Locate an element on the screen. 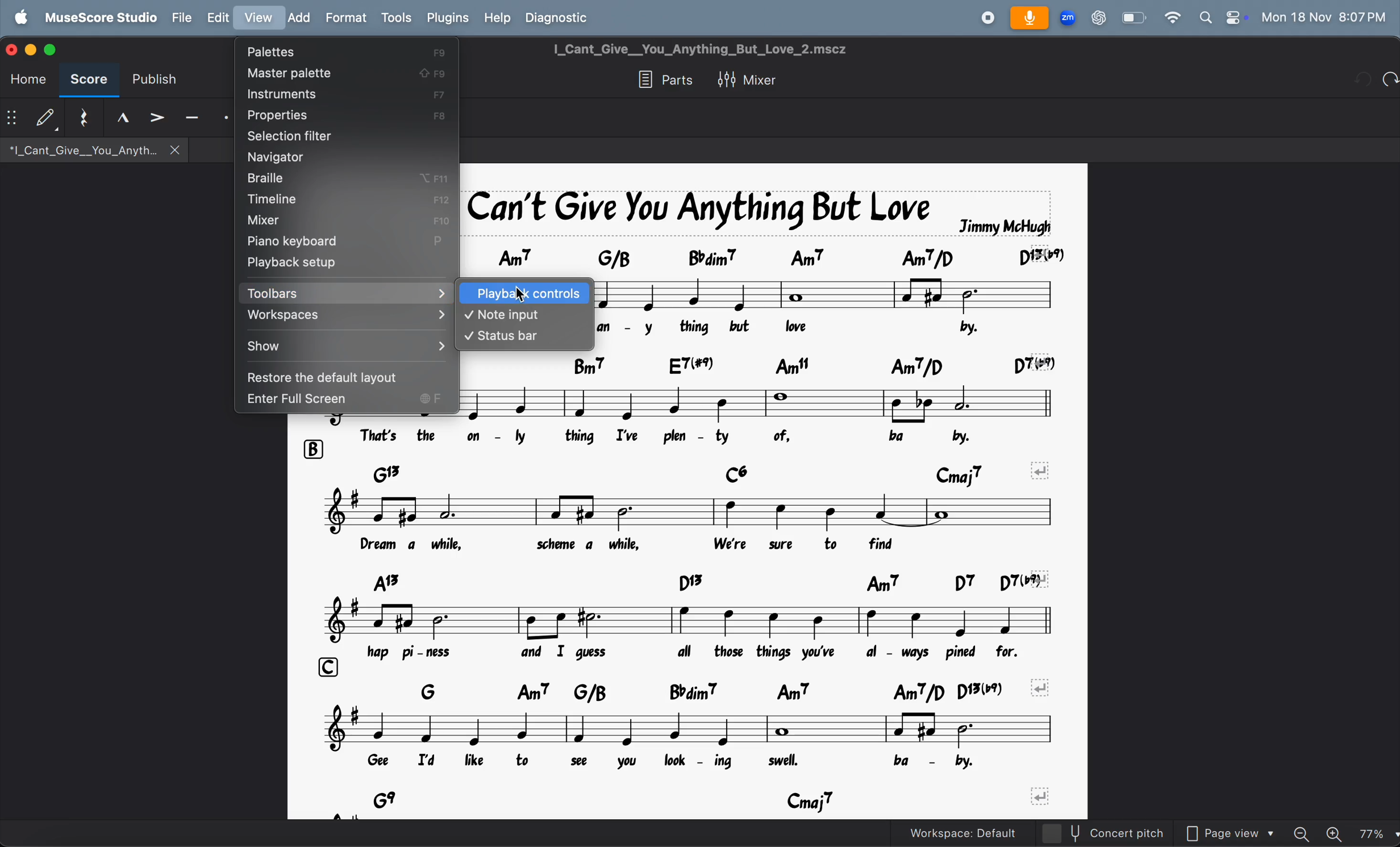  status bar is located at coordinates (518, 339).